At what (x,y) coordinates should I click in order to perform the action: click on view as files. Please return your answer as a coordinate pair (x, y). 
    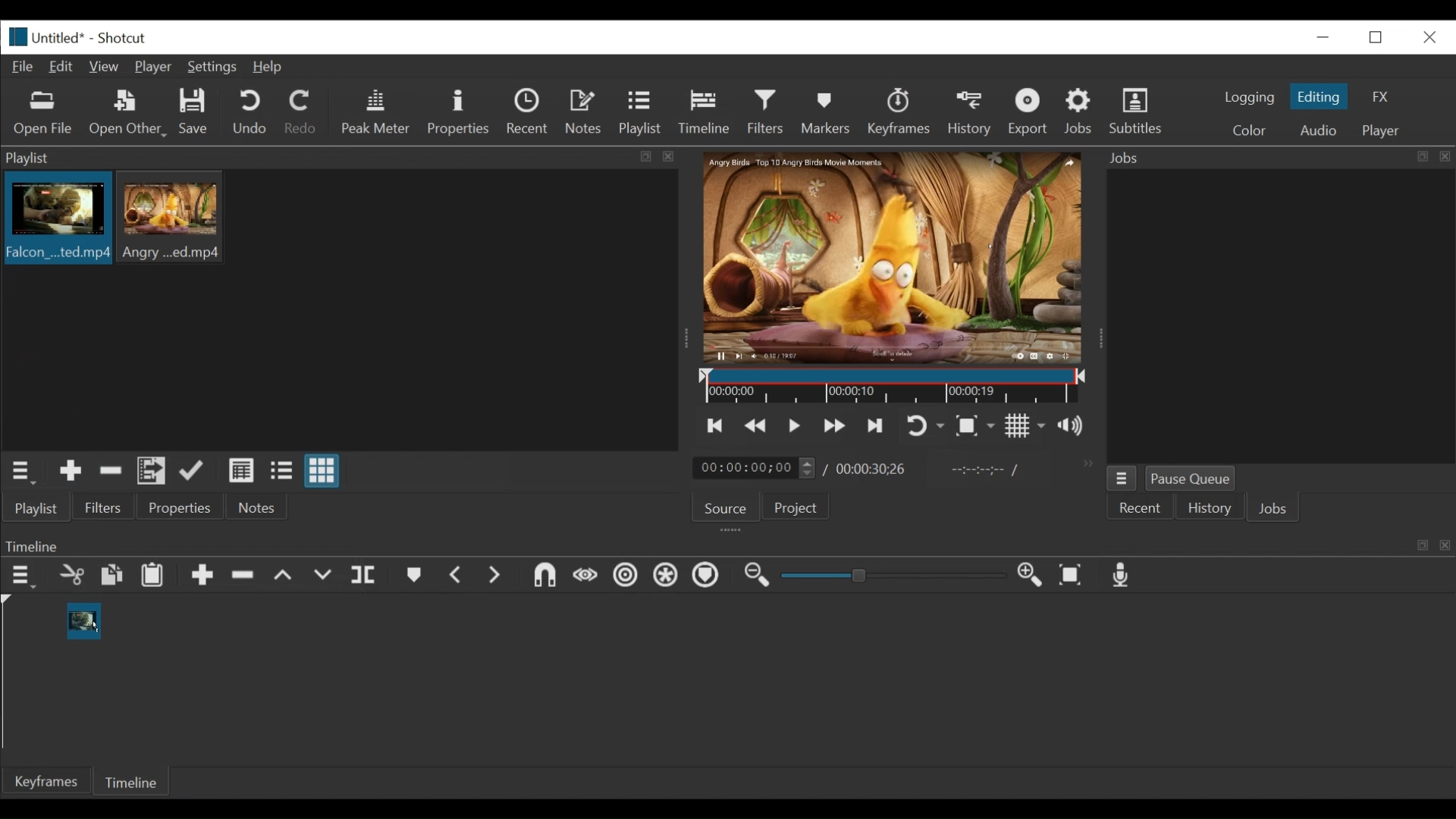
    Looking at the image, I should click on (283, 470).